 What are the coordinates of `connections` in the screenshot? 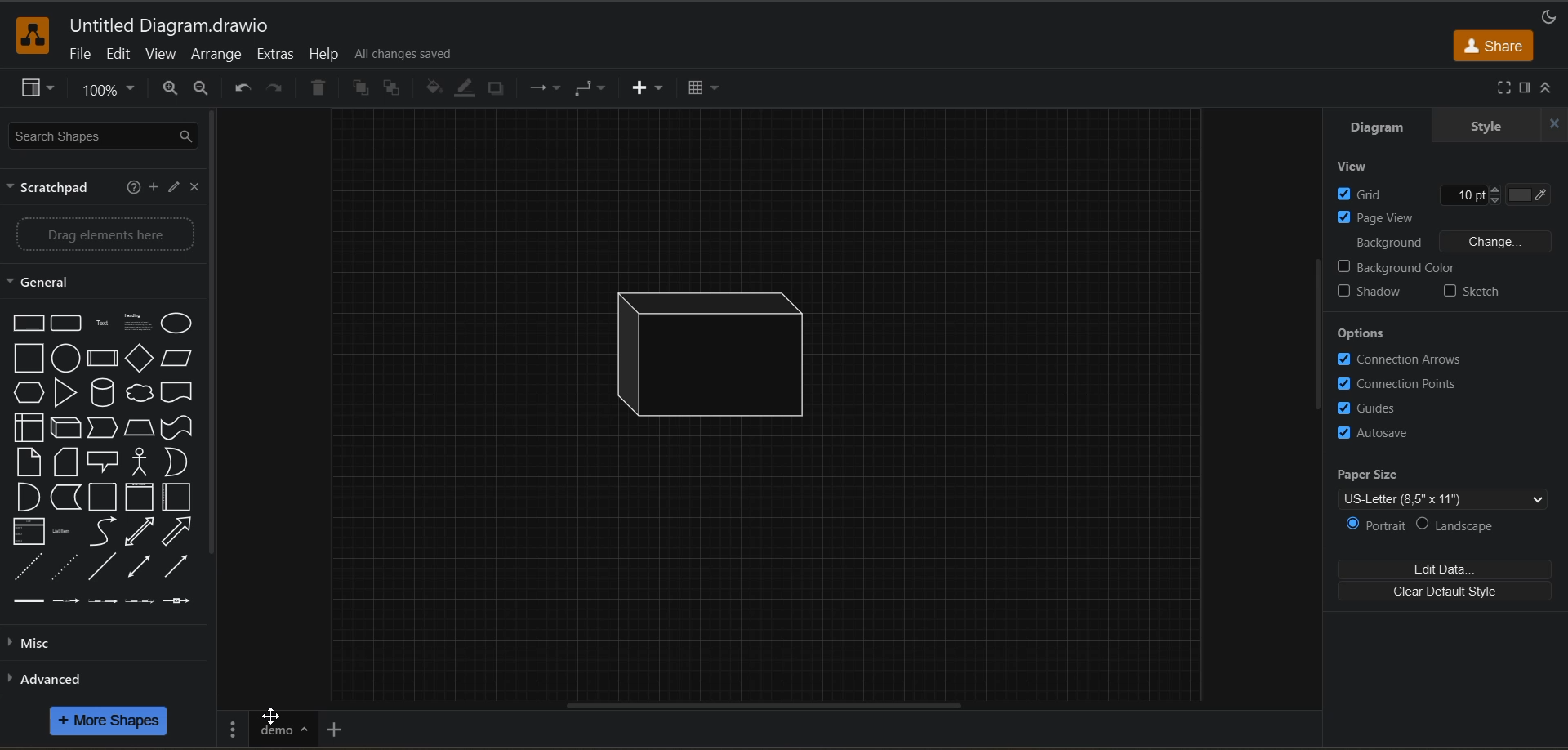 It's located at (546, 86).